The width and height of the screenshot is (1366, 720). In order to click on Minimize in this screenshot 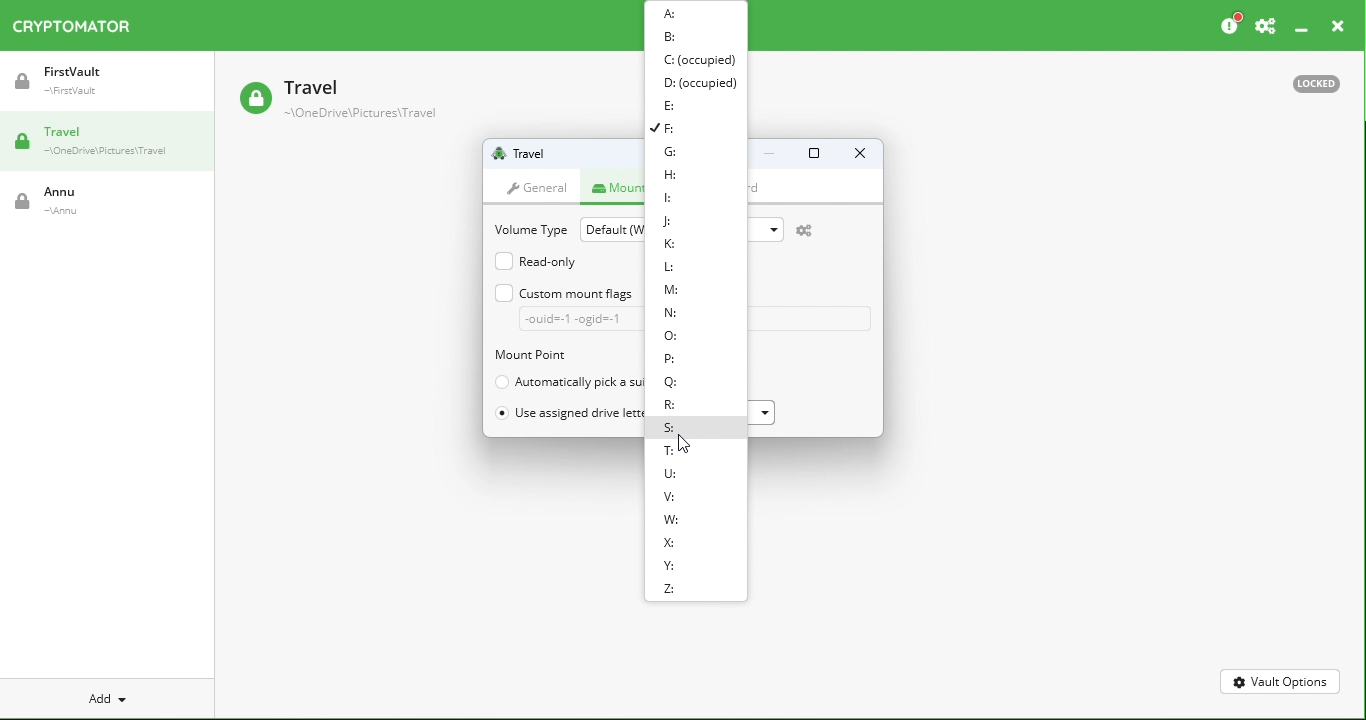, I will do `click(770, 156)`.